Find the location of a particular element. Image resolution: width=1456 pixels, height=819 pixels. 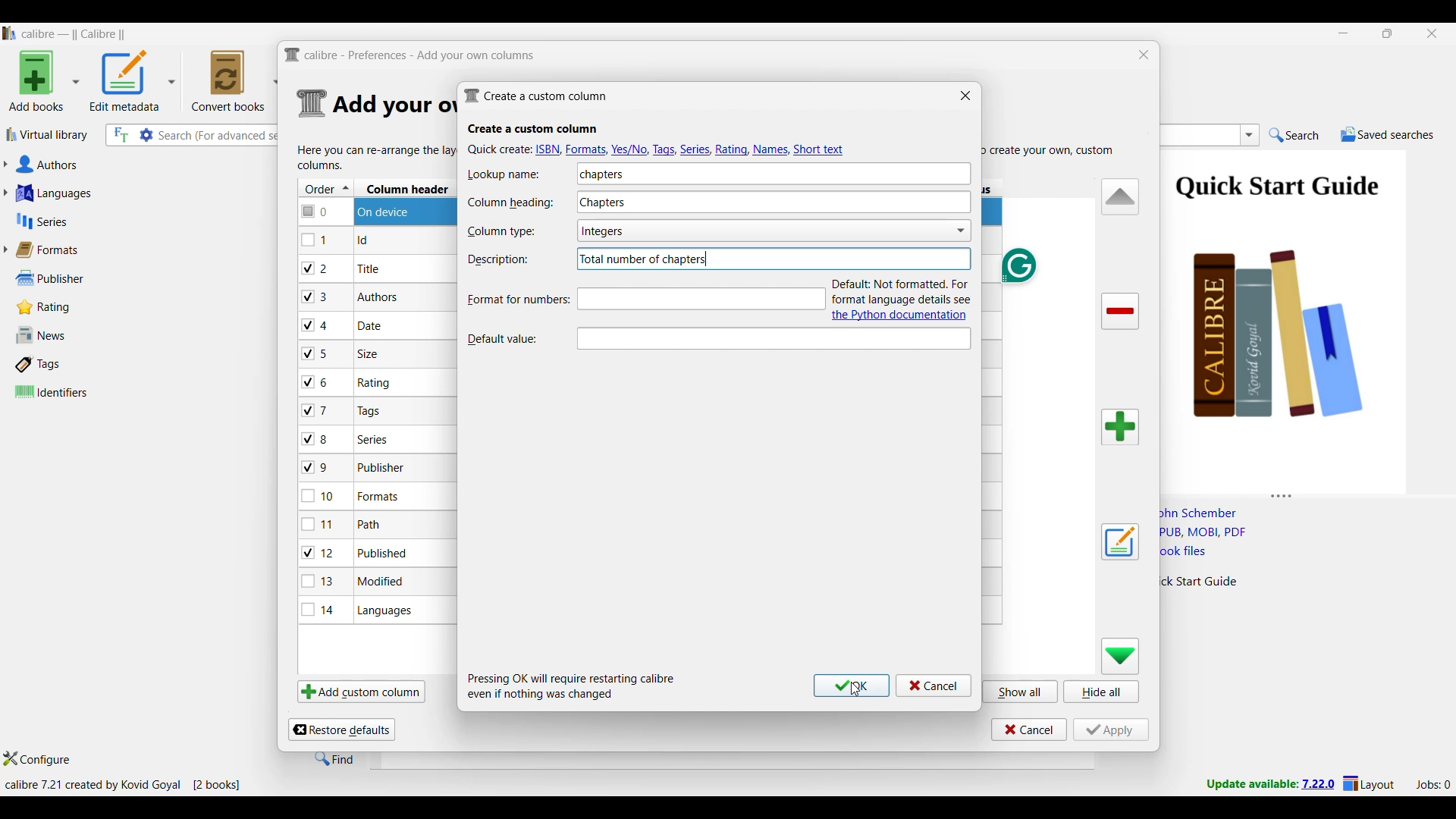

Authors is located at coordinates (120, 165).